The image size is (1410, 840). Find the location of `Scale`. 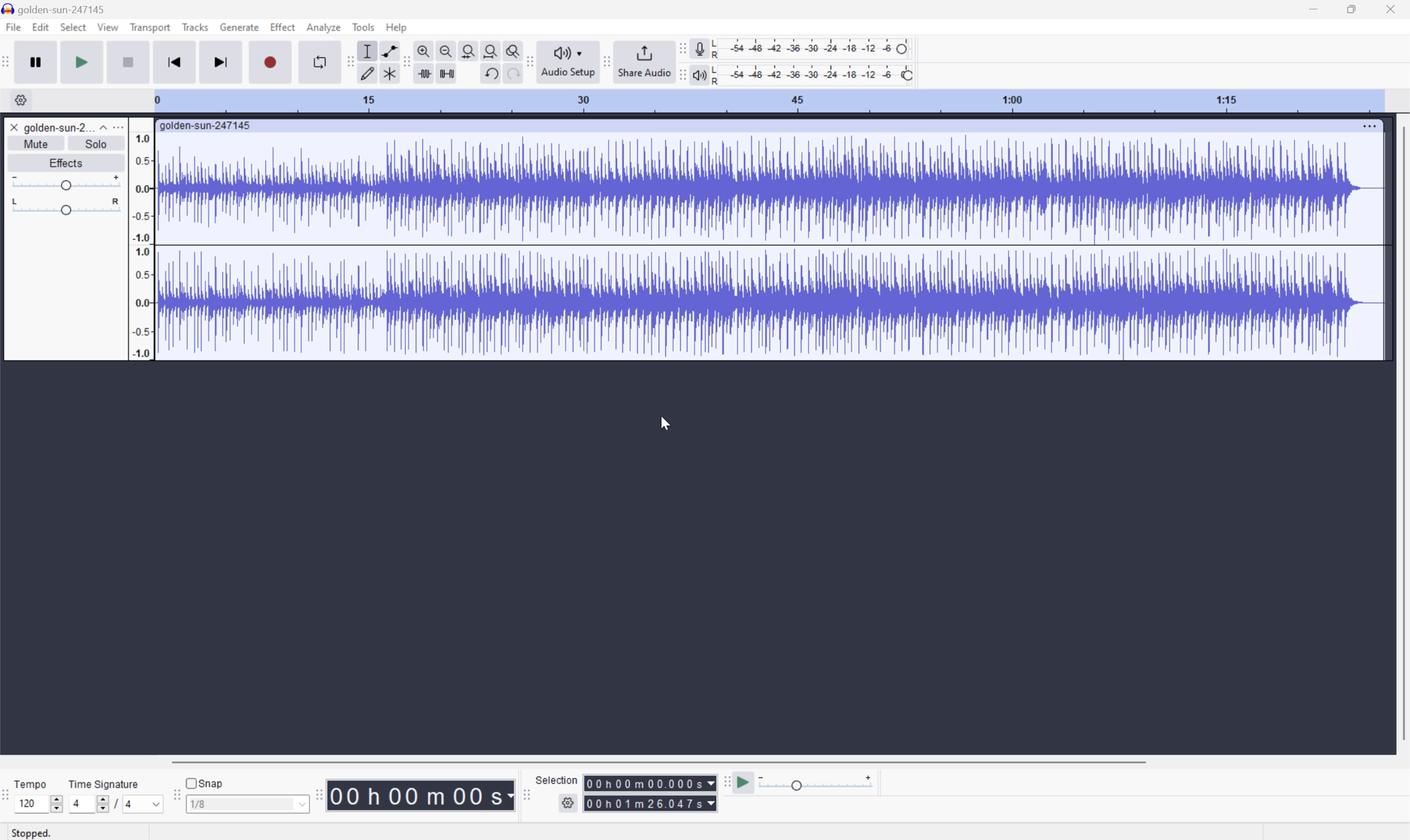

Scale is located at coordinates (768, 101).